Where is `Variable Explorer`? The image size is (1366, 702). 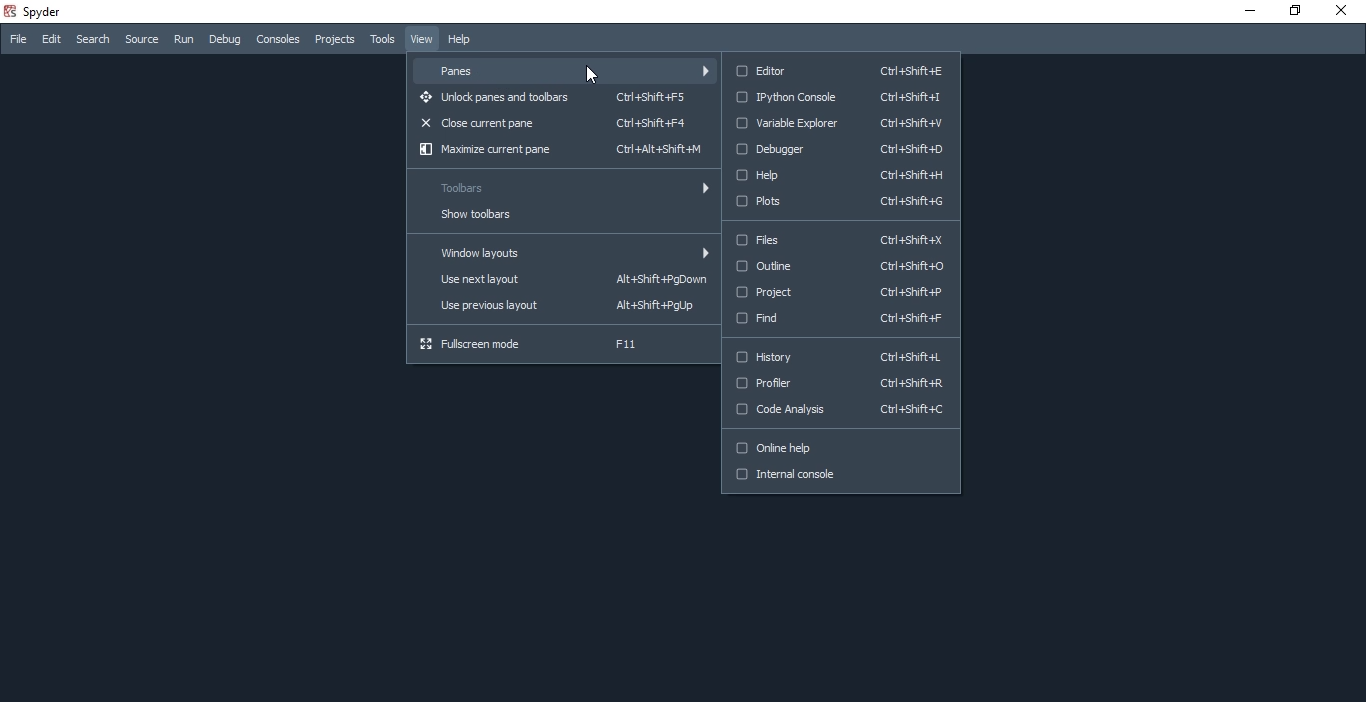 Variable Explorer is located at coordinates (846, 125).